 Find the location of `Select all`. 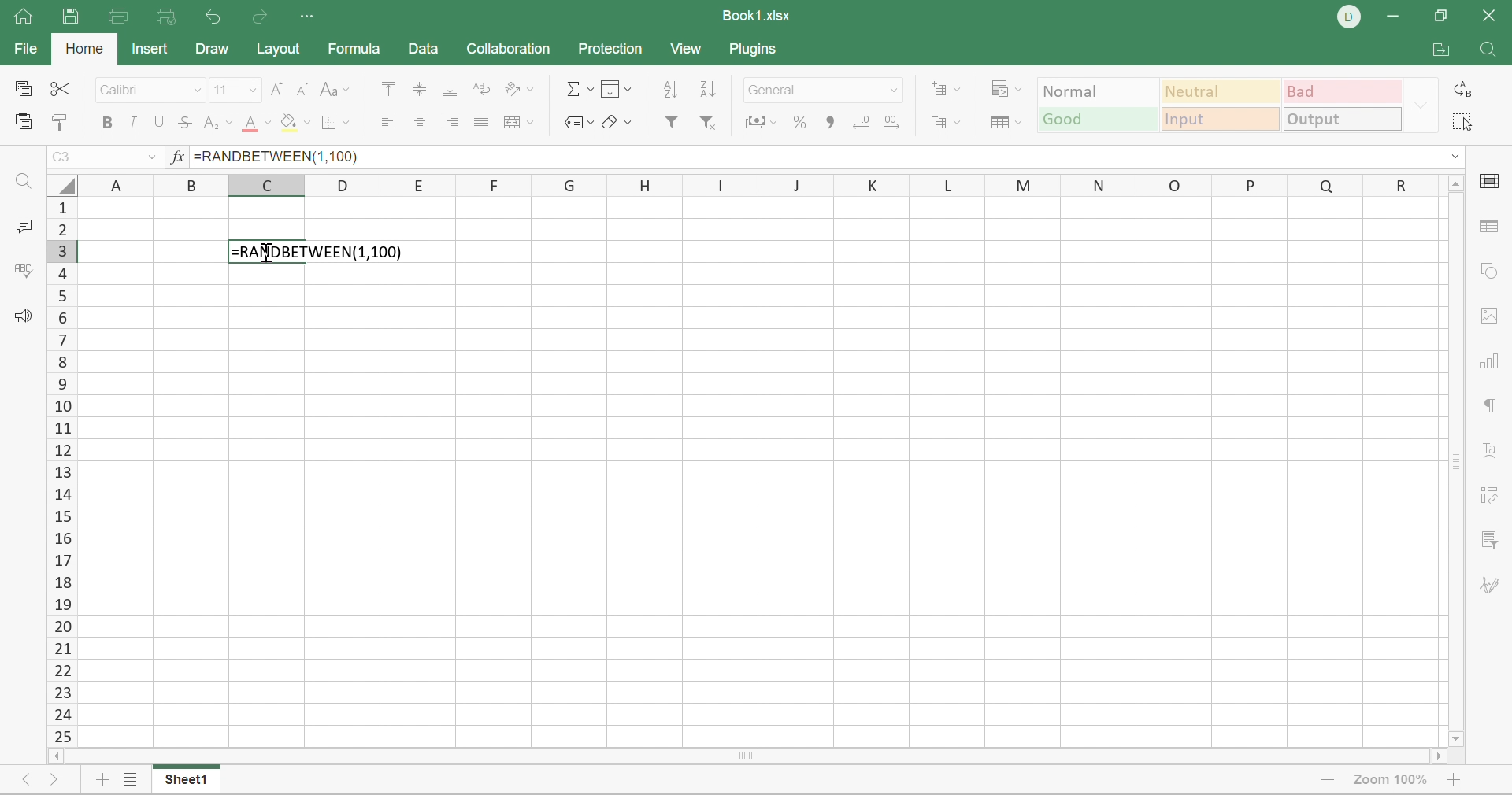

Select all is located at coordinates (1462, 123).